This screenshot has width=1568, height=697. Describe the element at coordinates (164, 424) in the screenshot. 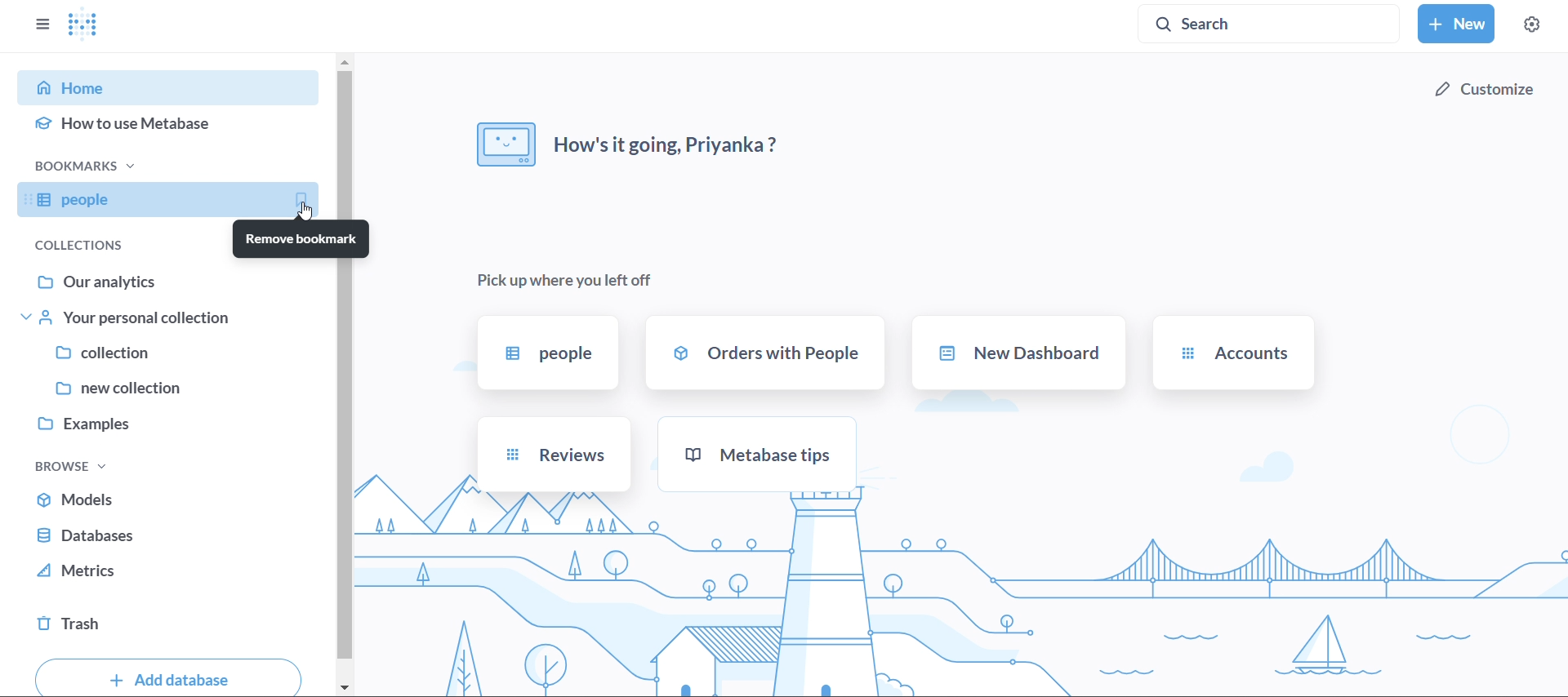

I see `examples` at that location.